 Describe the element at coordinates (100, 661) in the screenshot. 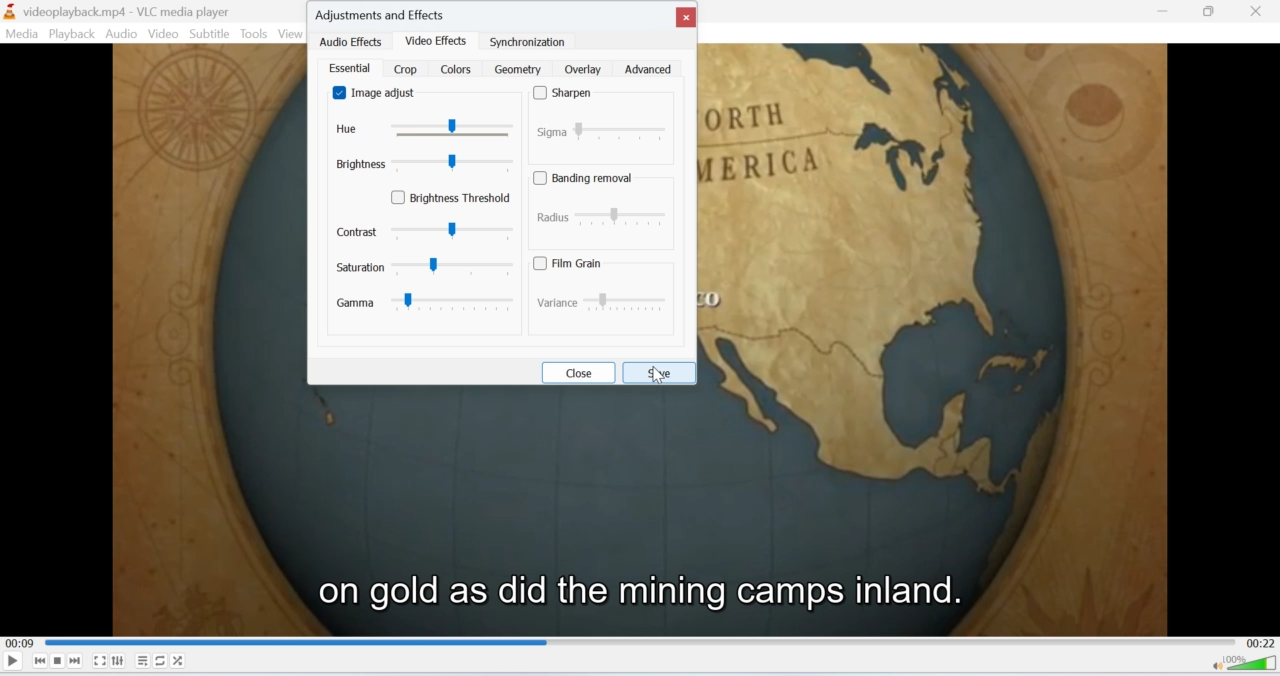

I see `Fullscreen` at that location.